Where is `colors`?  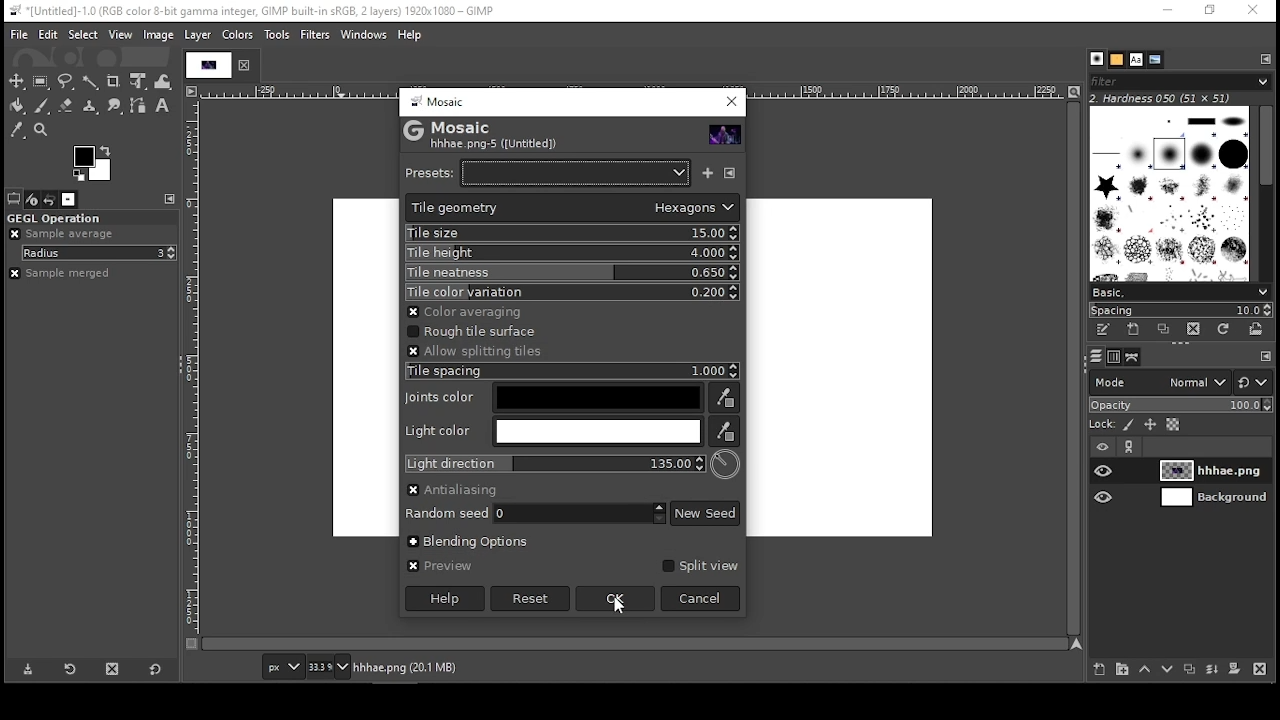
colors is located at coordinates (94, 161).